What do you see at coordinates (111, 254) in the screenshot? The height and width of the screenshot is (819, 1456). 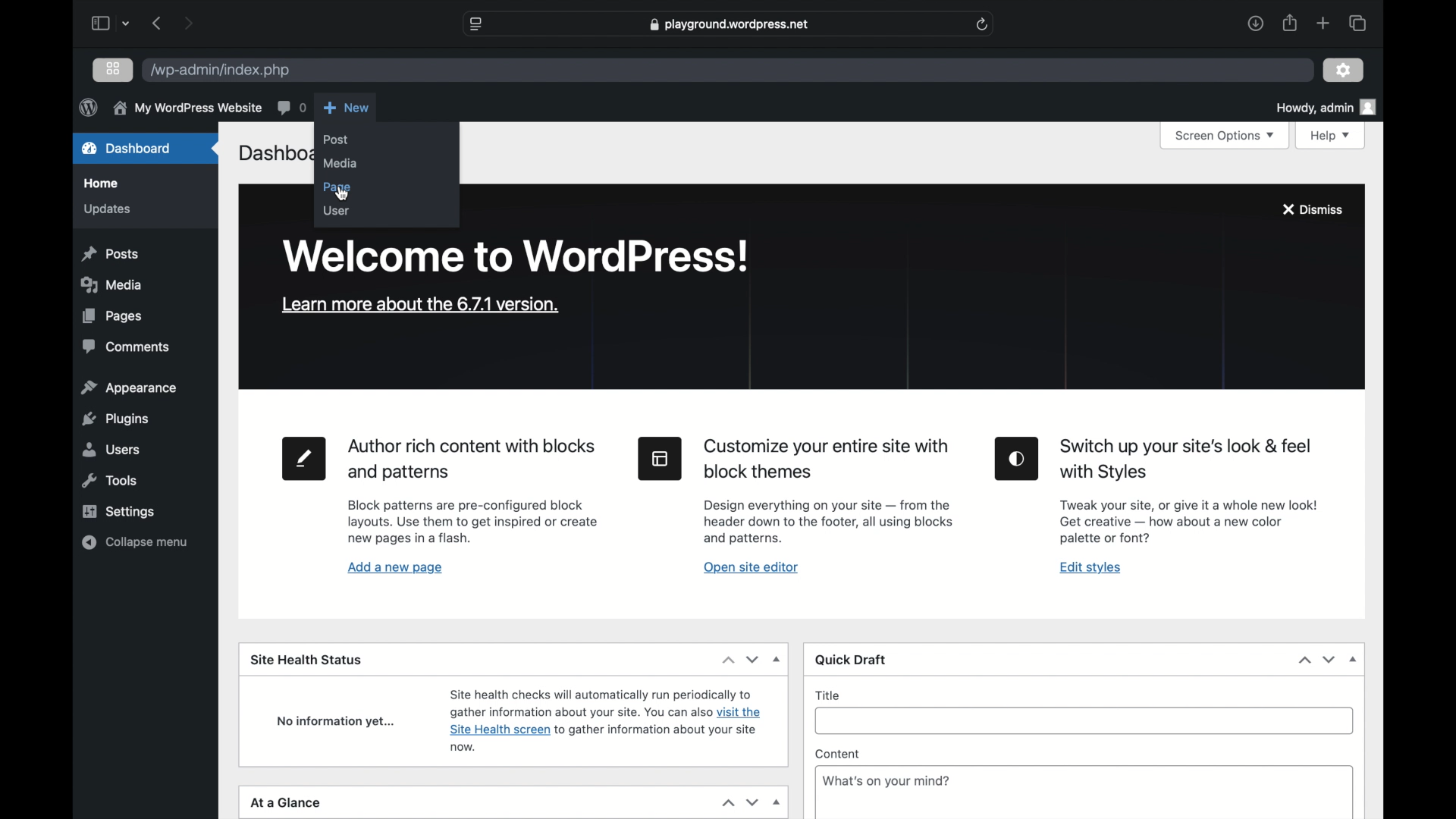 I see `posts` at bounding box center [111, 254].